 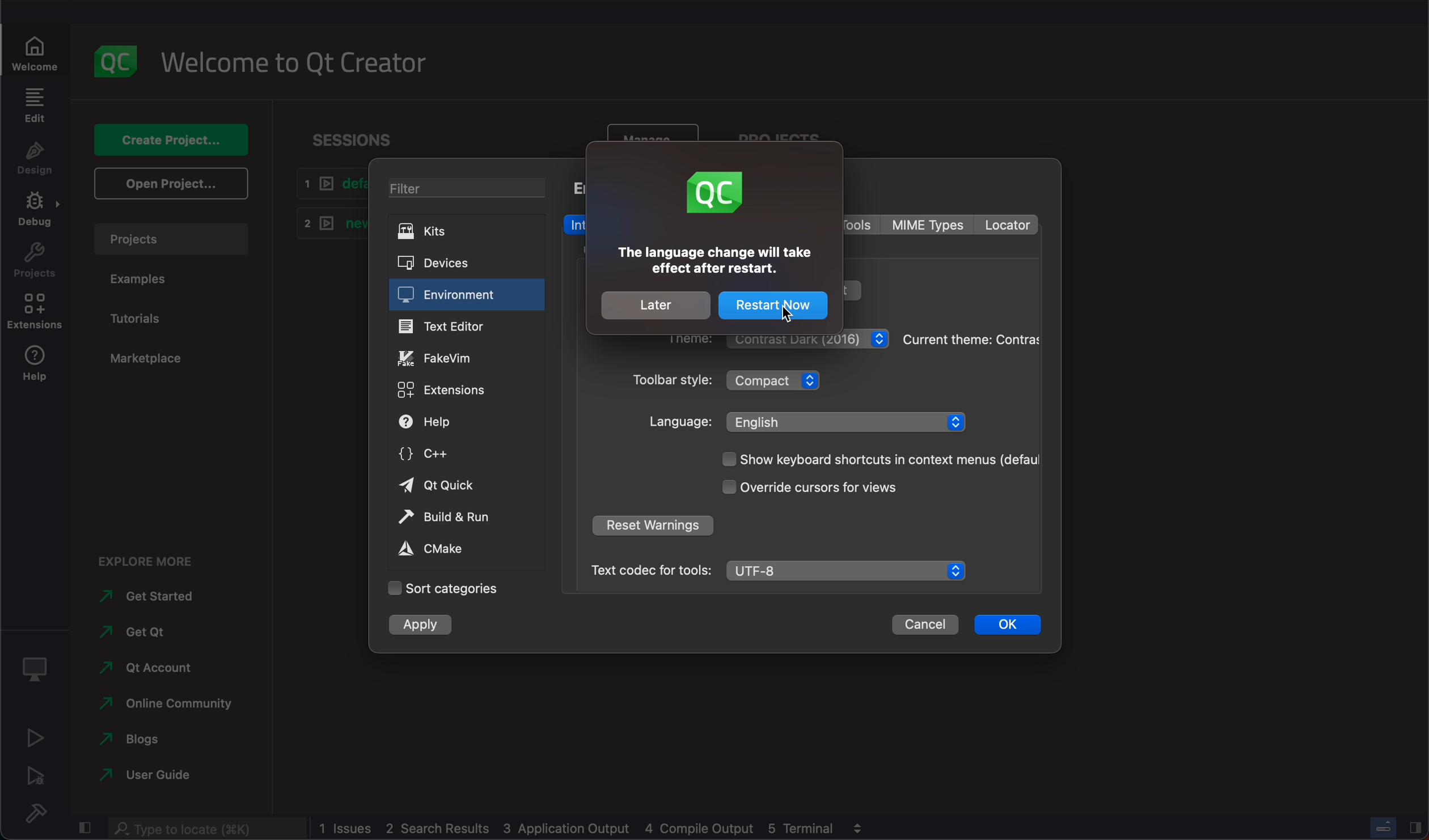 I want to click on sessions, so click(x=366, y=137).